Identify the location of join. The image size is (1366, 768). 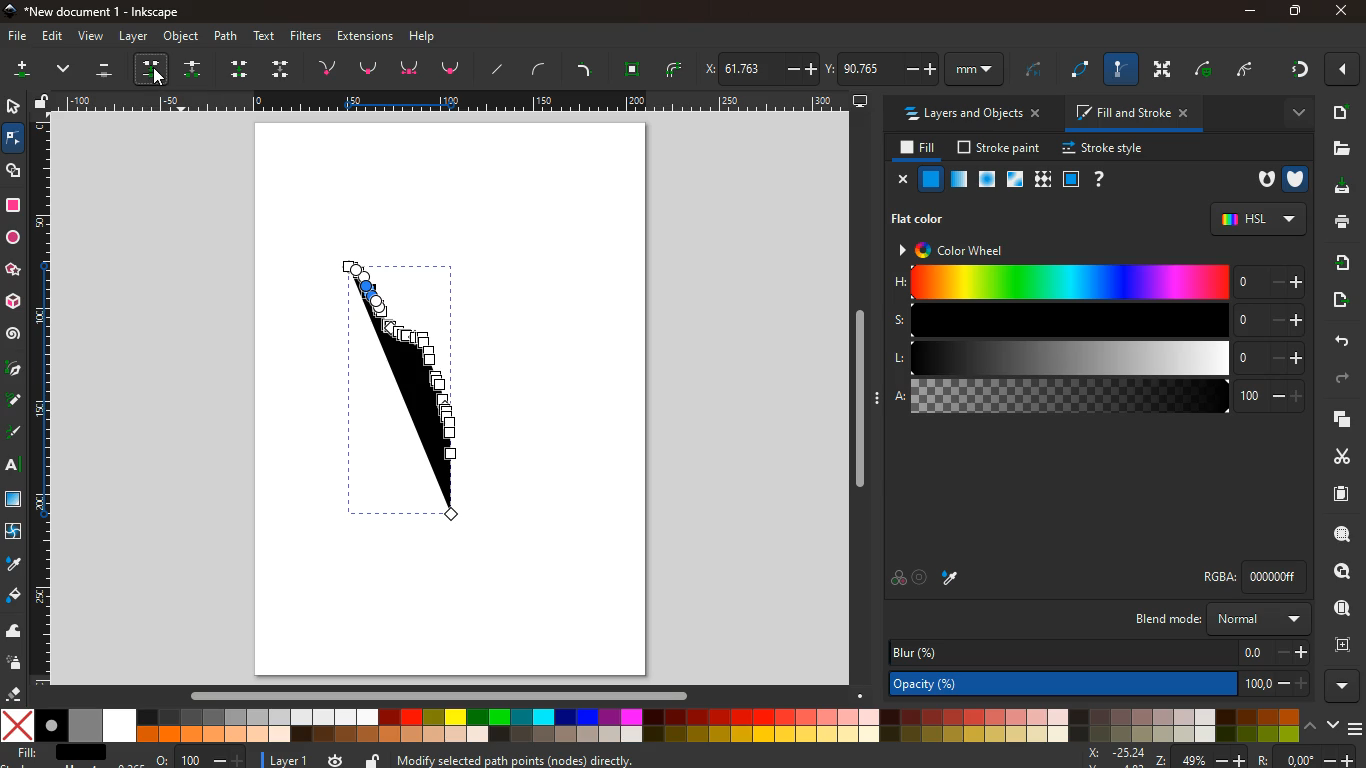
(331, 66).